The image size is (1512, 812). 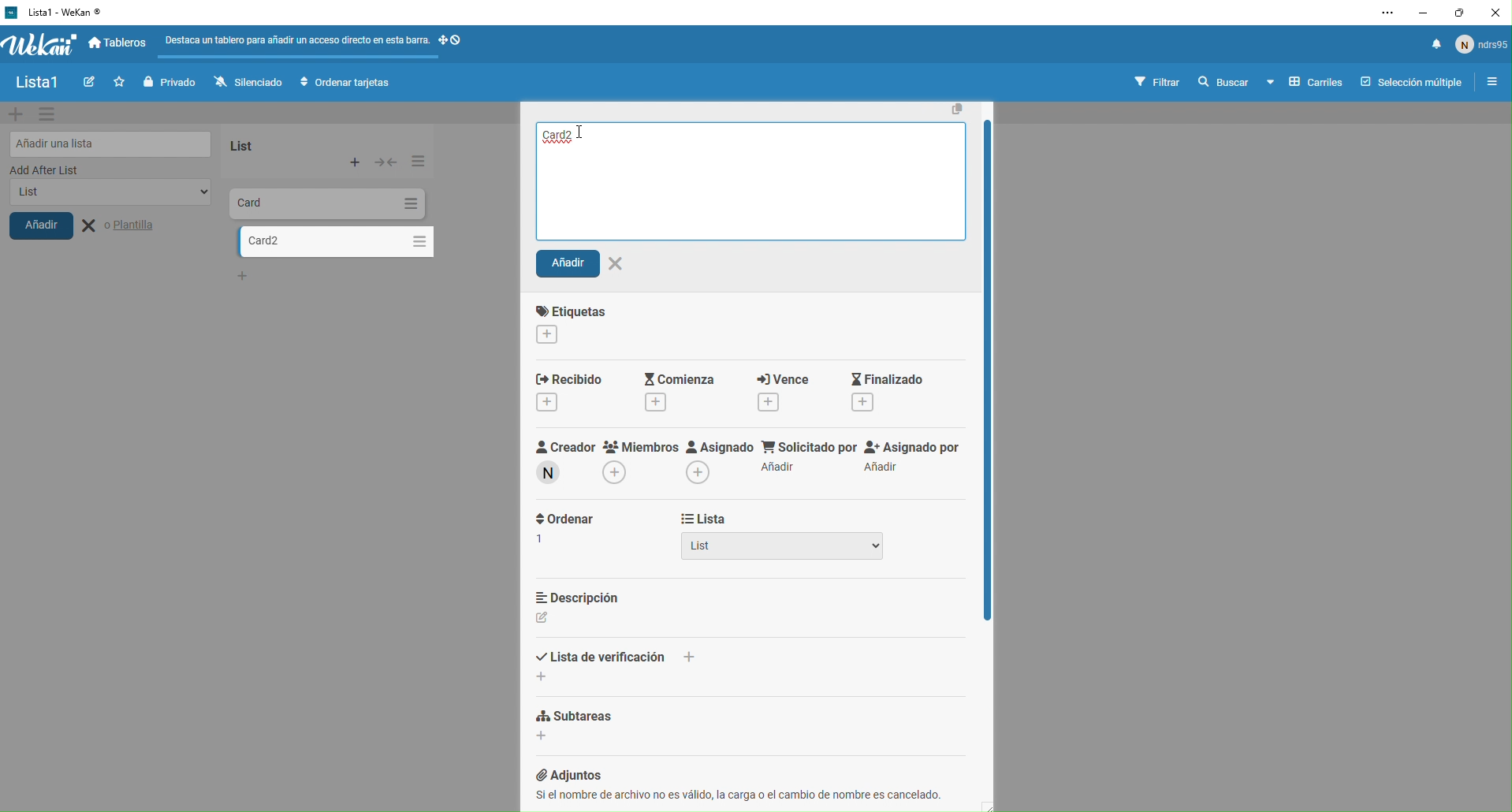 I want to click on @ Adjuntos
Si el nombre de archivo no es valido, la carga o el cambio de nombre es cancelado.
i i |, so click(x=760, y=780).